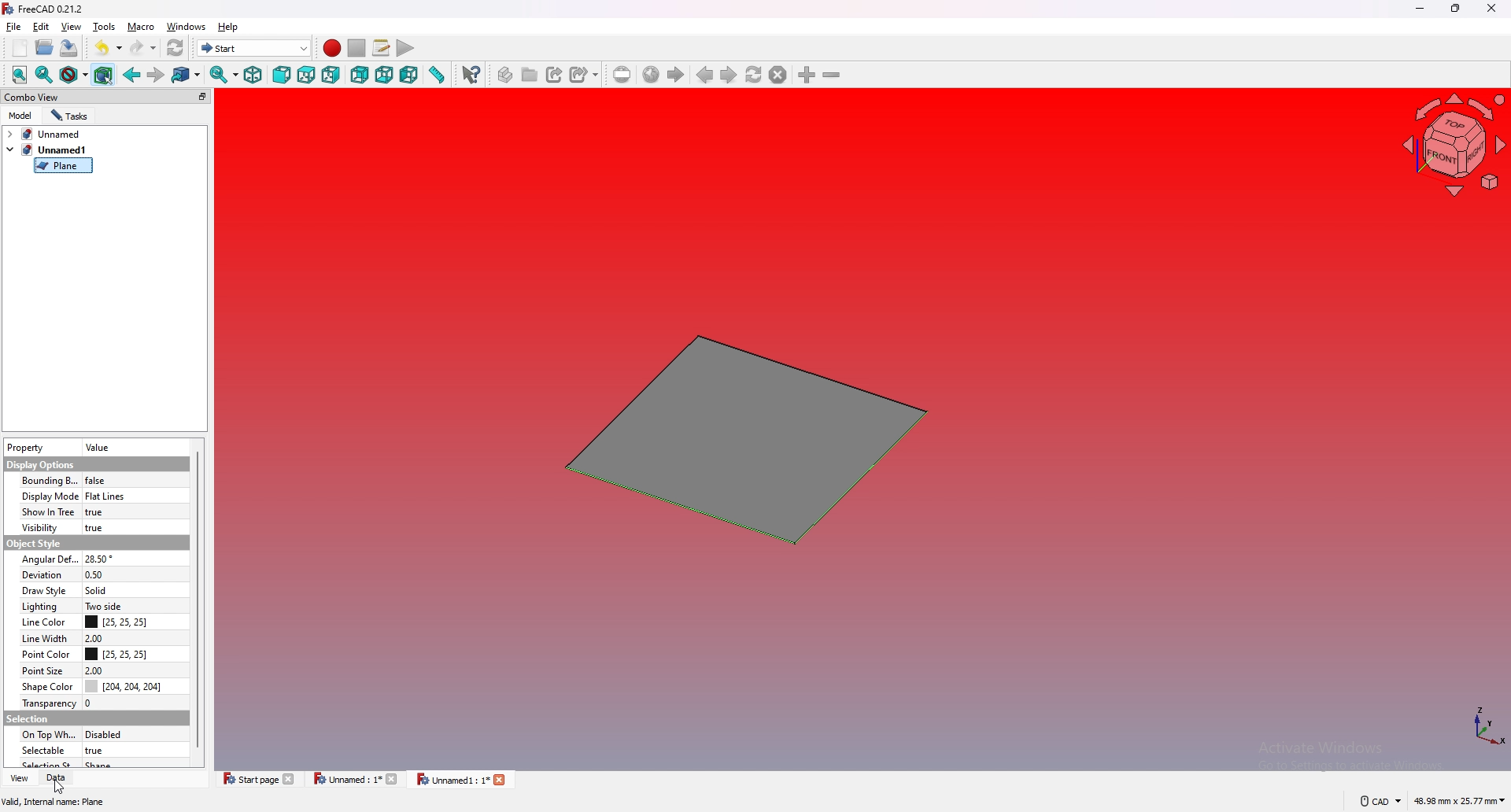 The image size is (1511, 812). Describe the element at coordinates (43, 574) in the screenshot. I see `deviation` at that location.